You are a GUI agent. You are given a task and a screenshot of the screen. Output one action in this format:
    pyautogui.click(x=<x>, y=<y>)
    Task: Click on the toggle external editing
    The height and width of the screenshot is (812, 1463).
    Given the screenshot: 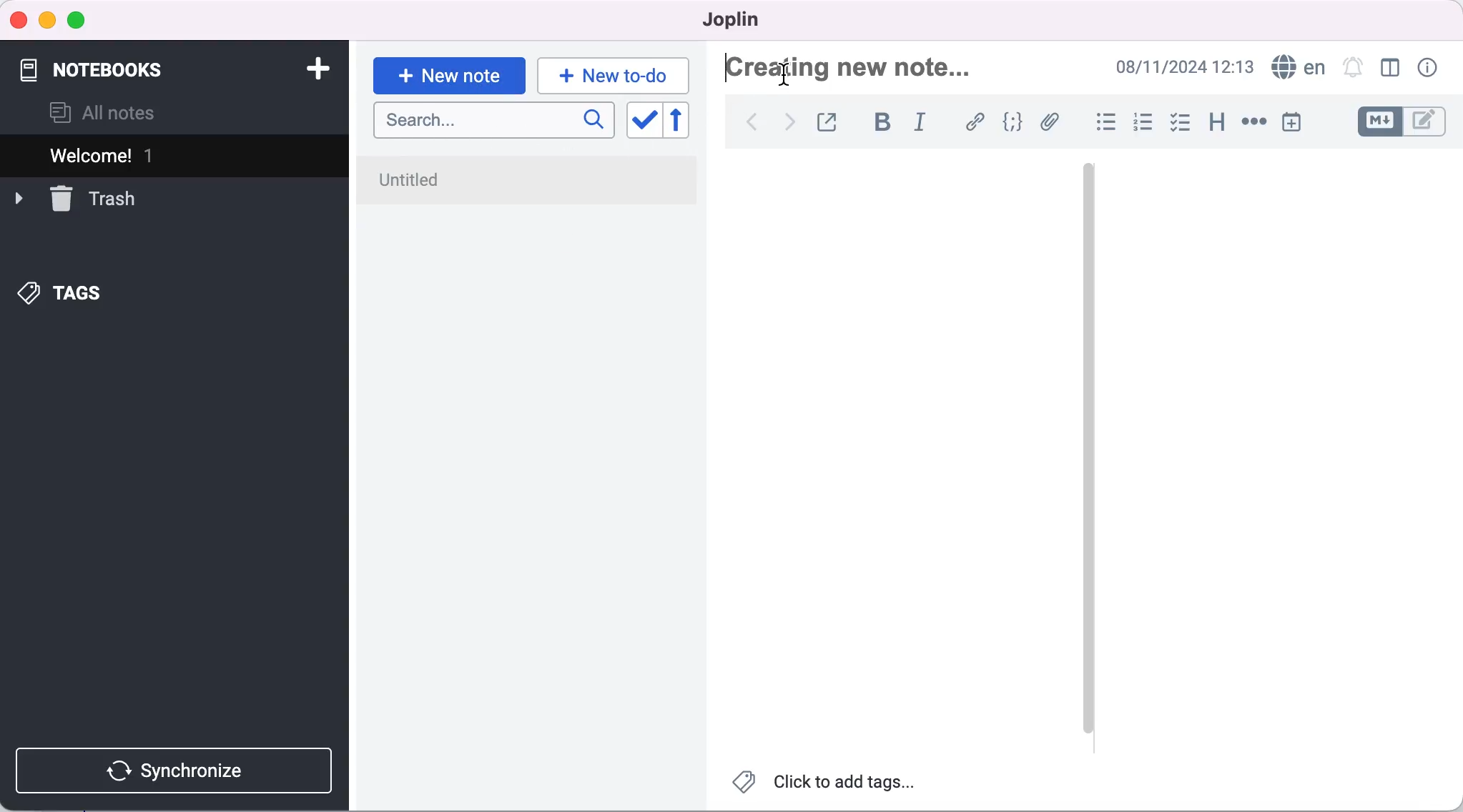 What is the action you would take?
    pyautogui.click(x=831, y=120)
    